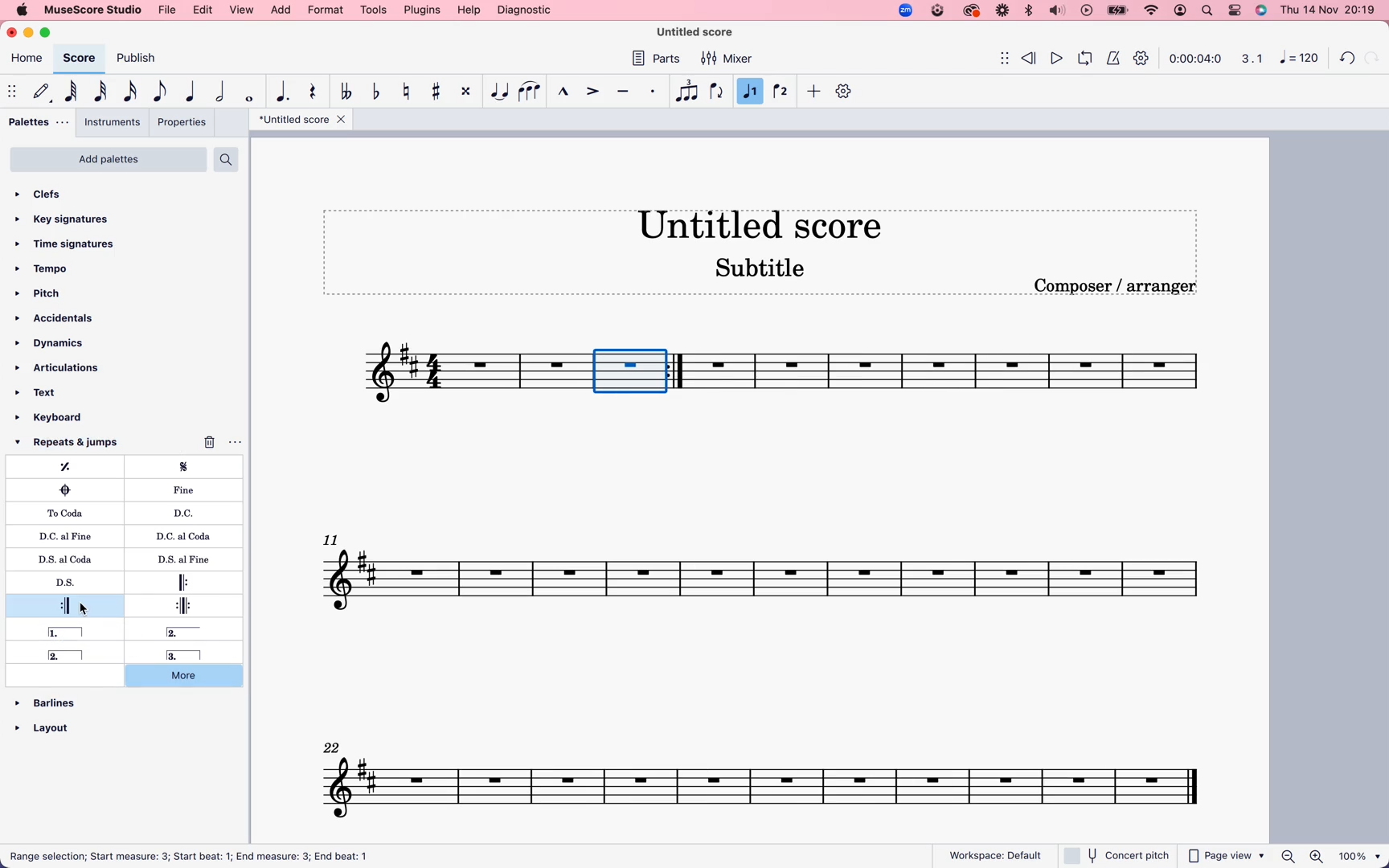 The height and width of the screenshot is (868, 1389). Describe the element at coordinates (846, 91) in the screenshot. I see `settings` at that location.